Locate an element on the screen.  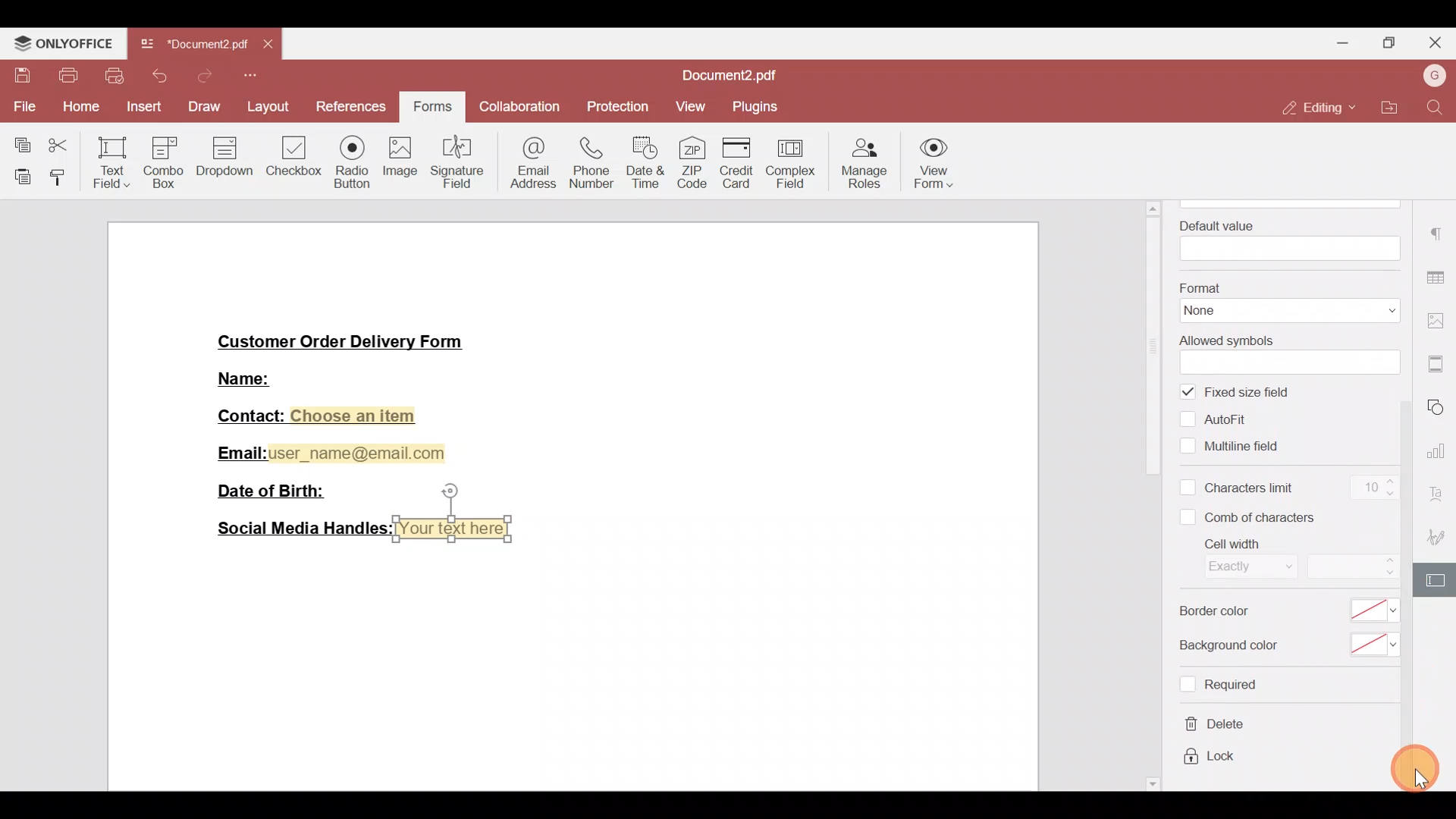
Close is located at coordinates (1438, 43).